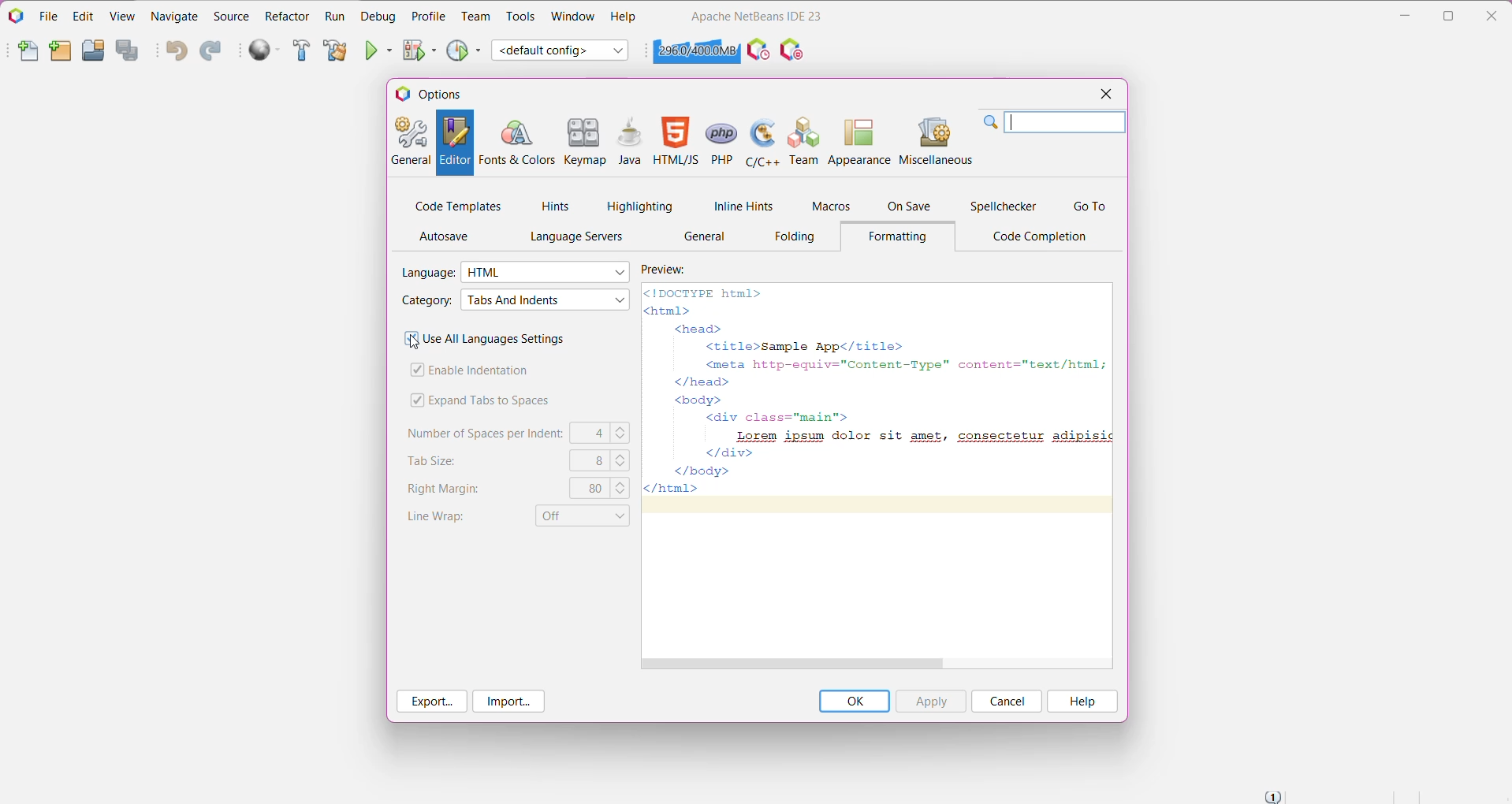  What do you see at coordinates (593, 488) in the screenshot?
I see `80` at bounding box center [593, 488].